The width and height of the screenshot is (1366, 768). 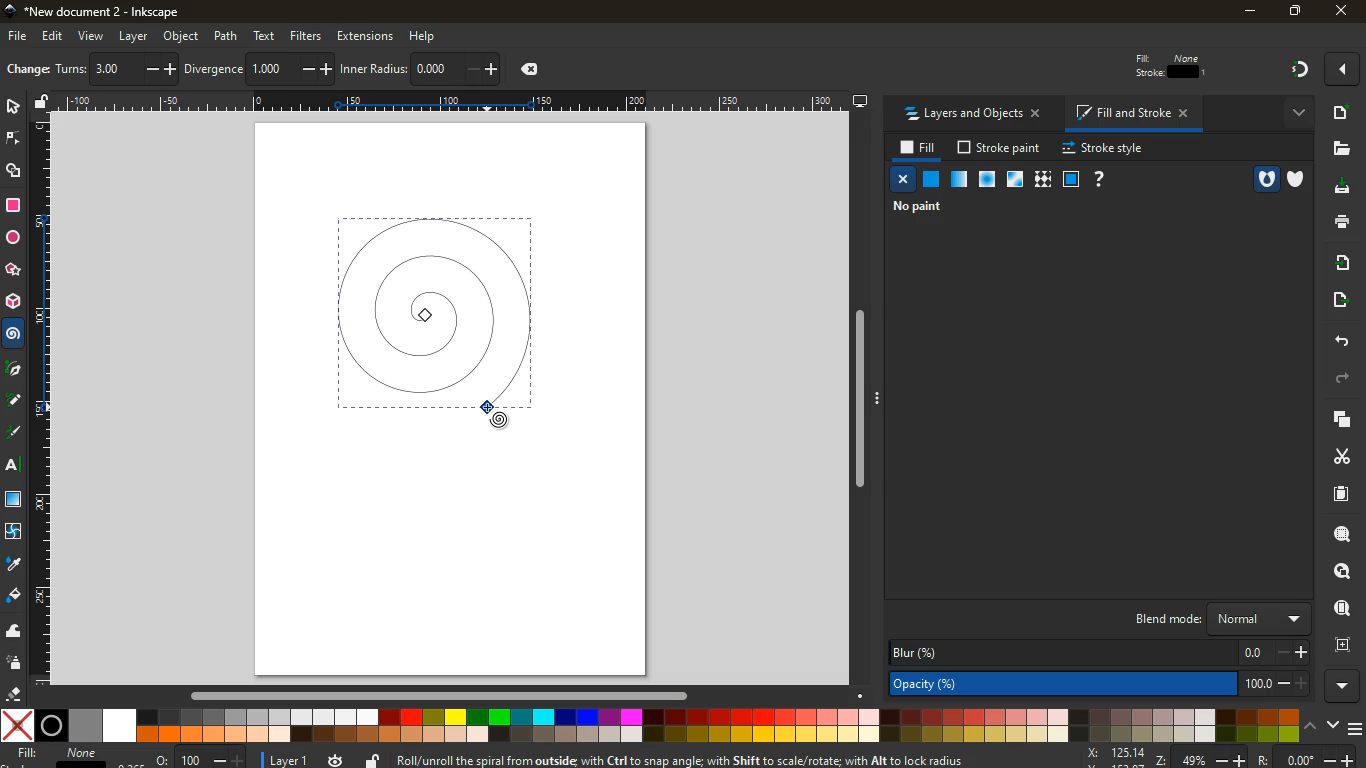 What do you see at coordinates (60, 755) in the screenshot?
I see `fill` at bounding box center [60, 755].